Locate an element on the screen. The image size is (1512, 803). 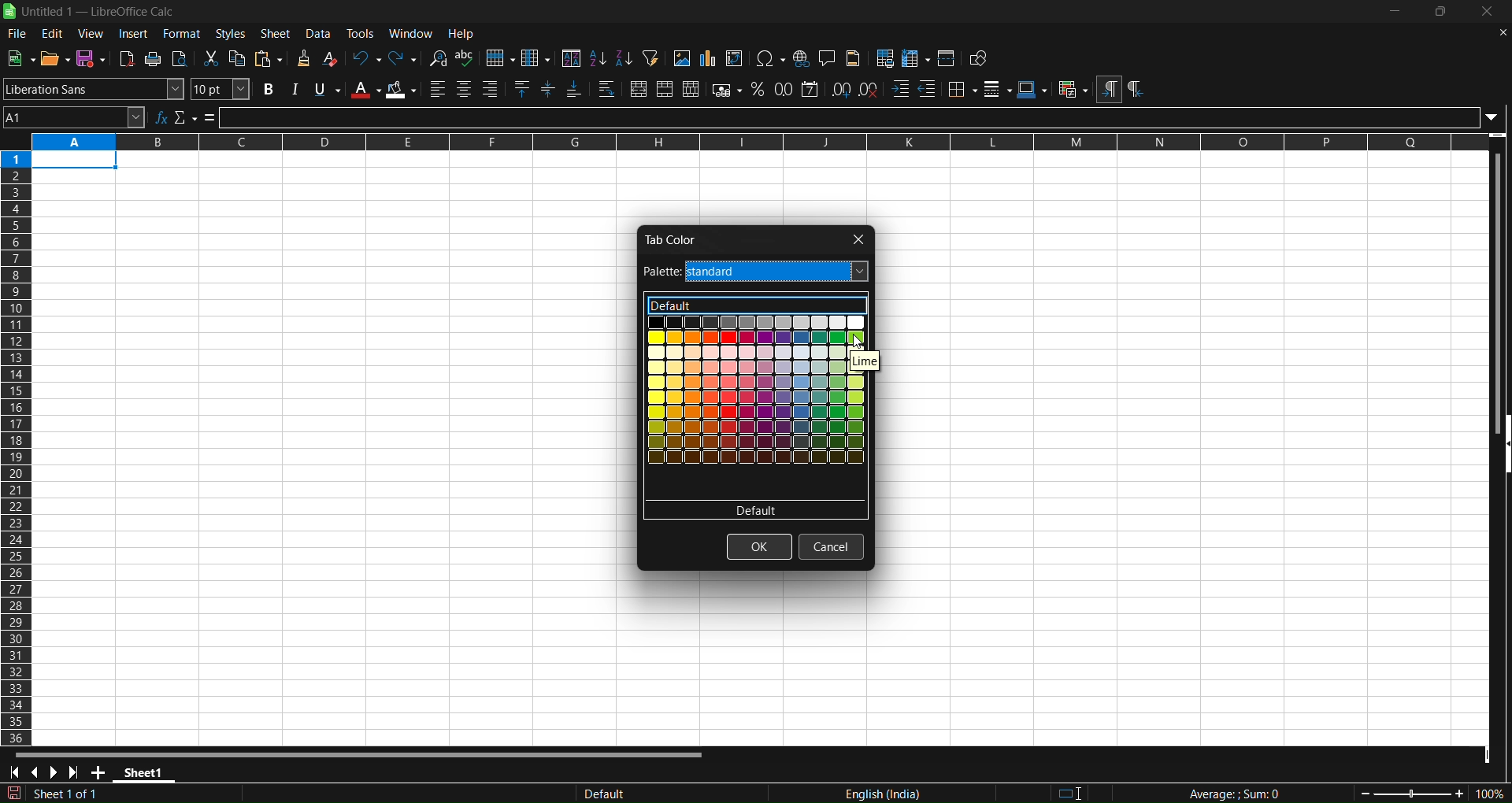
print is located at coordinates (154, 59).